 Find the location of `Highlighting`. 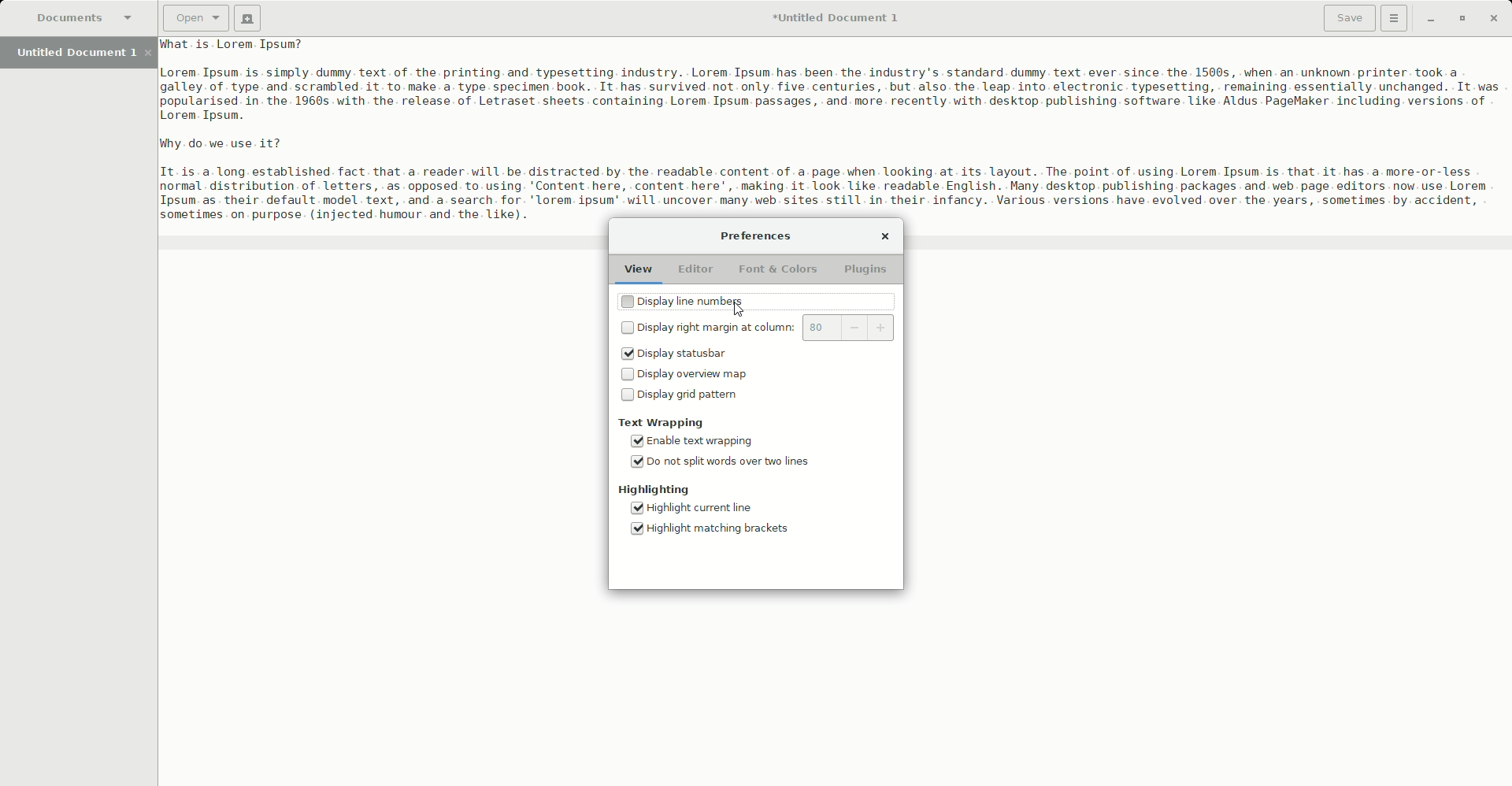

Highlighting is located at coordinates (655, 491).